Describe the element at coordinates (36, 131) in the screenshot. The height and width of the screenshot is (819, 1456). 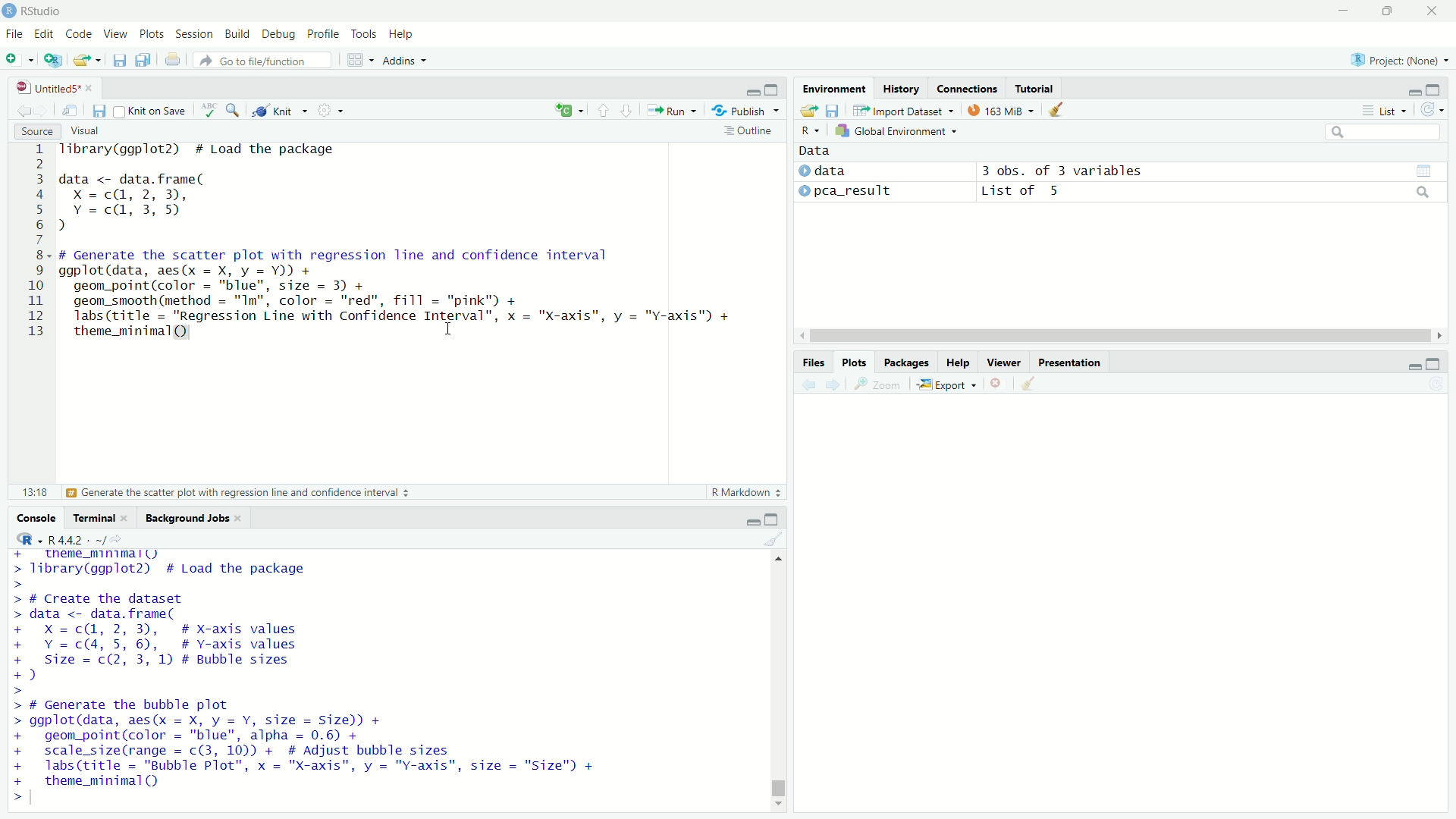
I see `Source` at that location.